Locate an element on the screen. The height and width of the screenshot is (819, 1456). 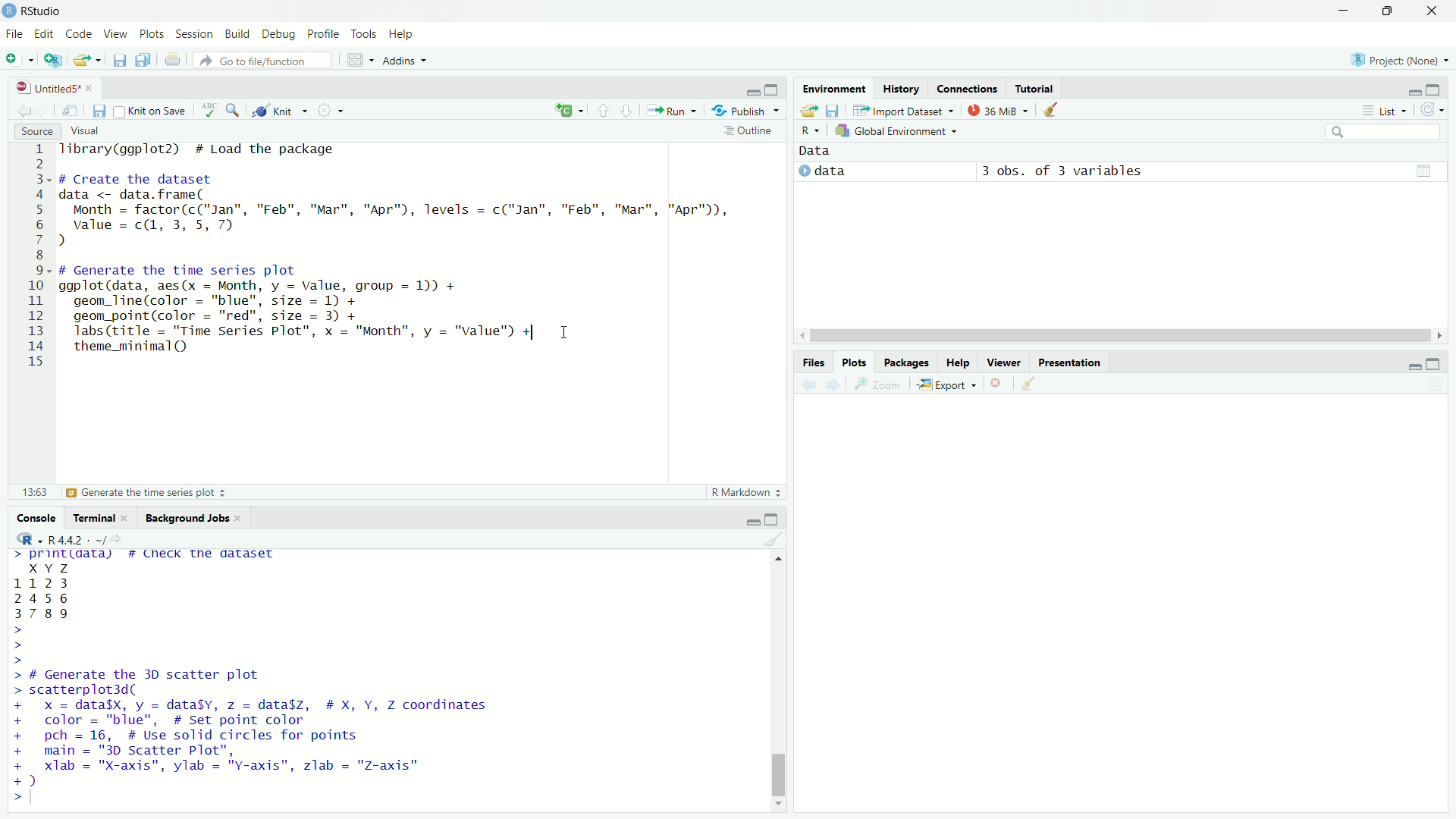
scrollbar is located at coordinates (777, 686).